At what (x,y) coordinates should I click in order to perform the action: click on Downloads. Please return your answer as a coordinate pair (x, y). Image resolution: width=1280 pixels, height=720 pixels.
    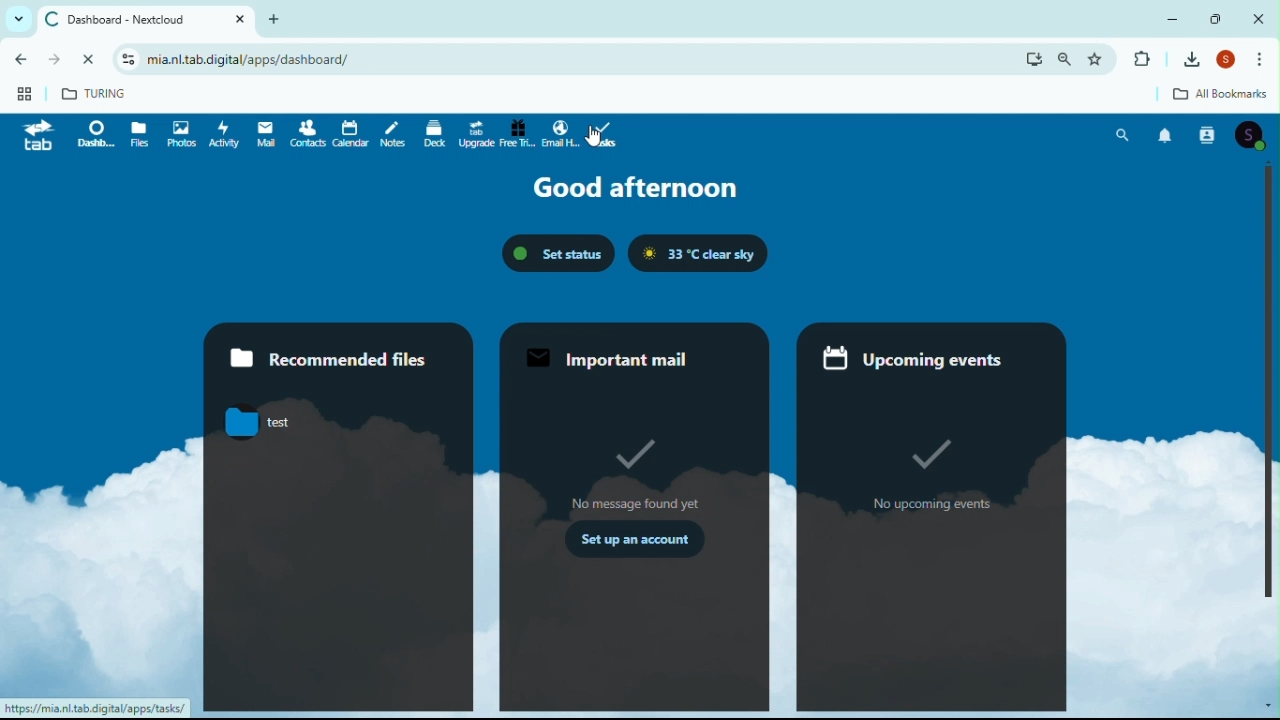
    Looking at the image, I should click on (1195, 59).